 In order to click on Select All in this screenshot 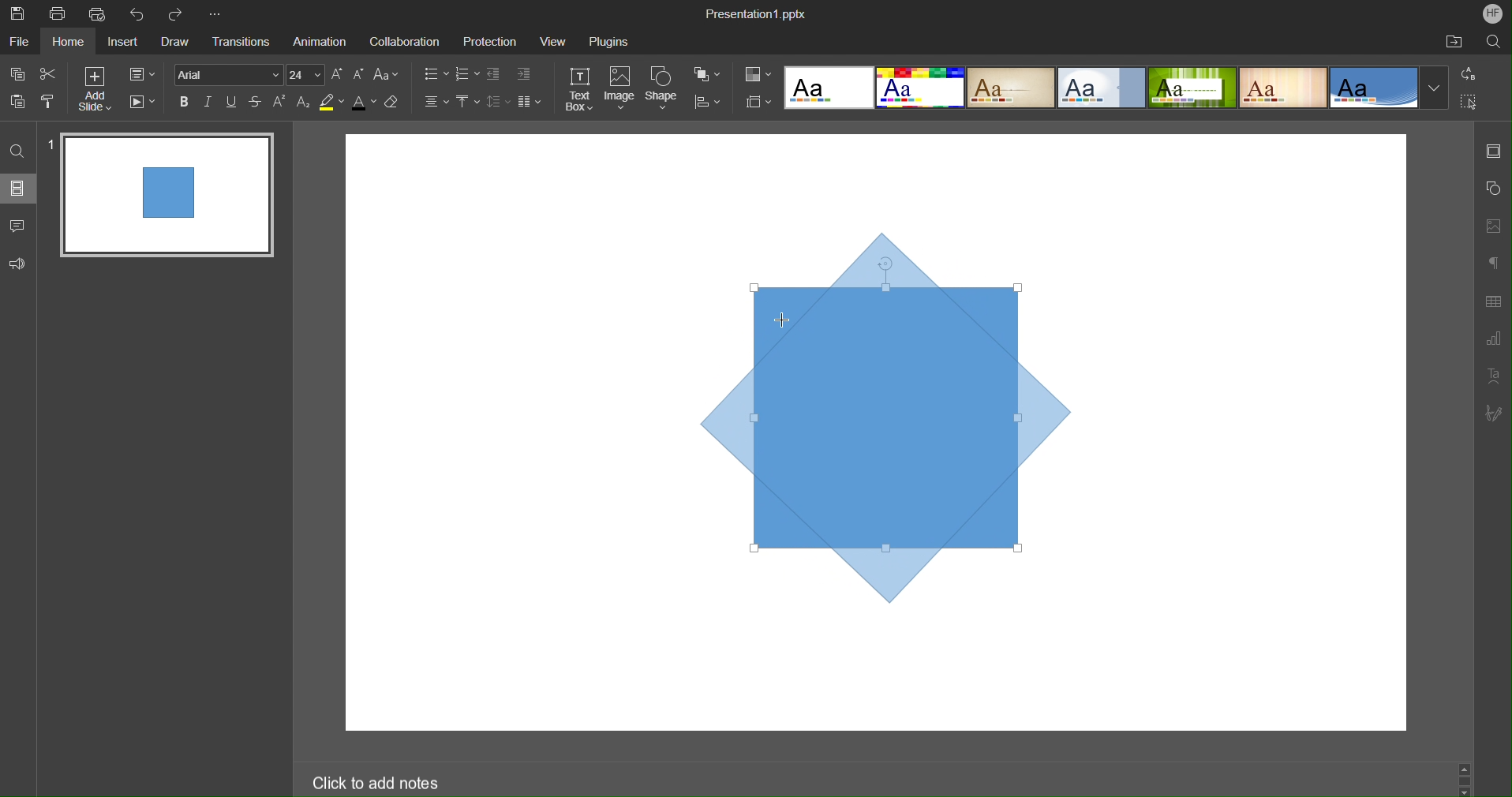, I will do `click(1469, 101)`.